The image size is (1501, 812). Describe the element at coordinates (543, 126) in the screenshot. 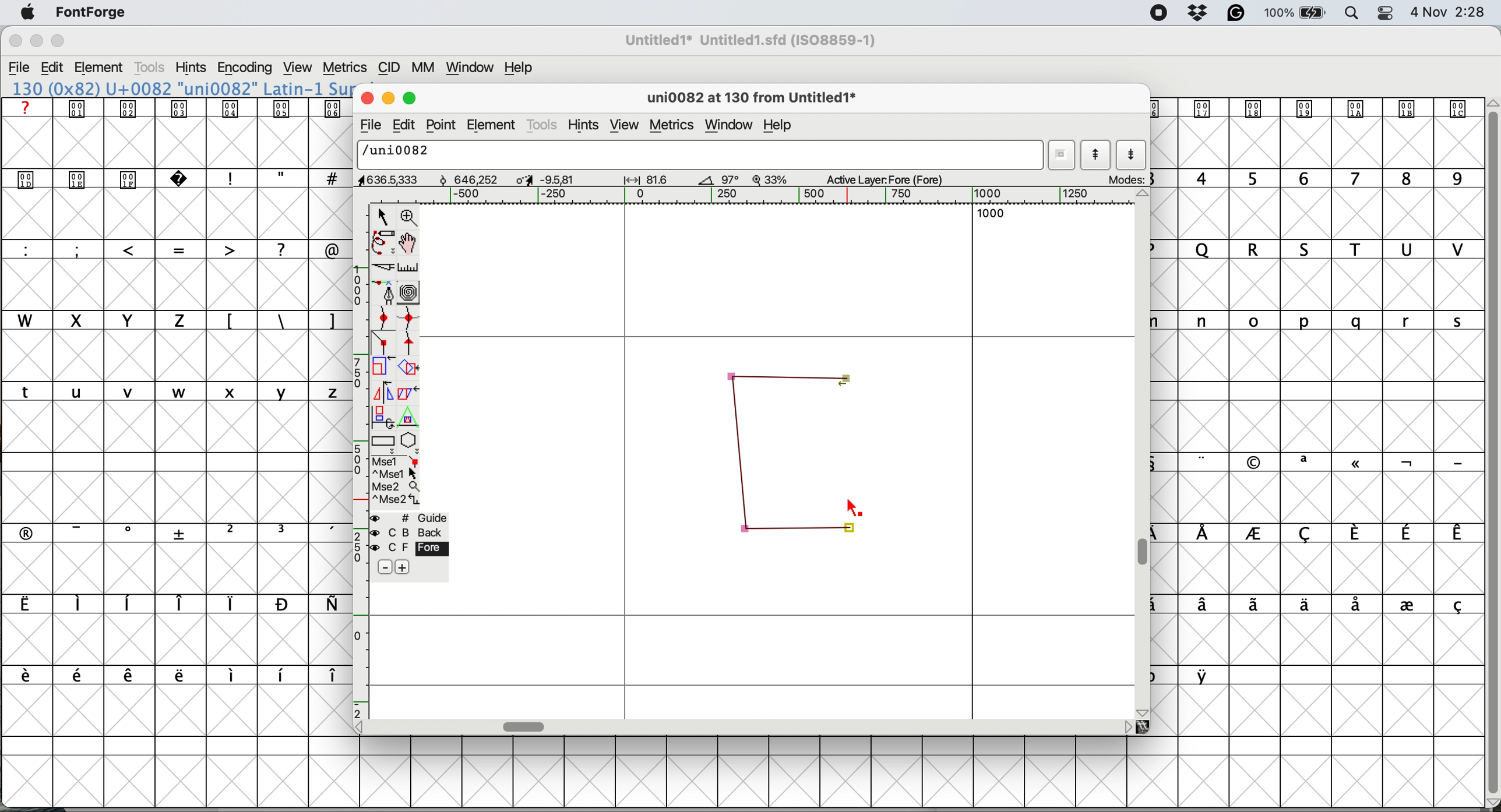

I see `tools` at that location.